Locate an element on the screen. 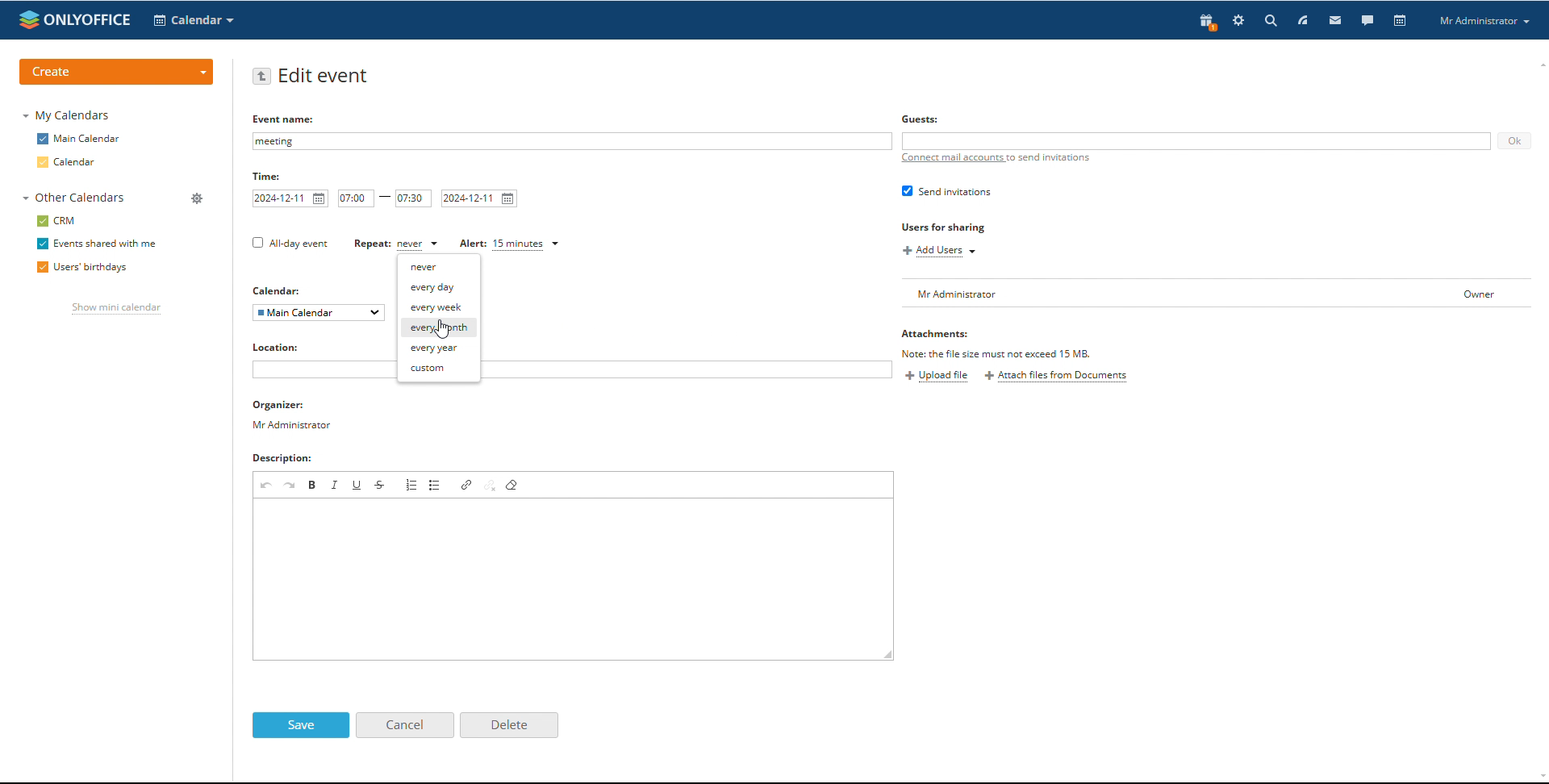 The height and width of the screenshot is (784, 1549). add description is located at coordinates (566, 579).